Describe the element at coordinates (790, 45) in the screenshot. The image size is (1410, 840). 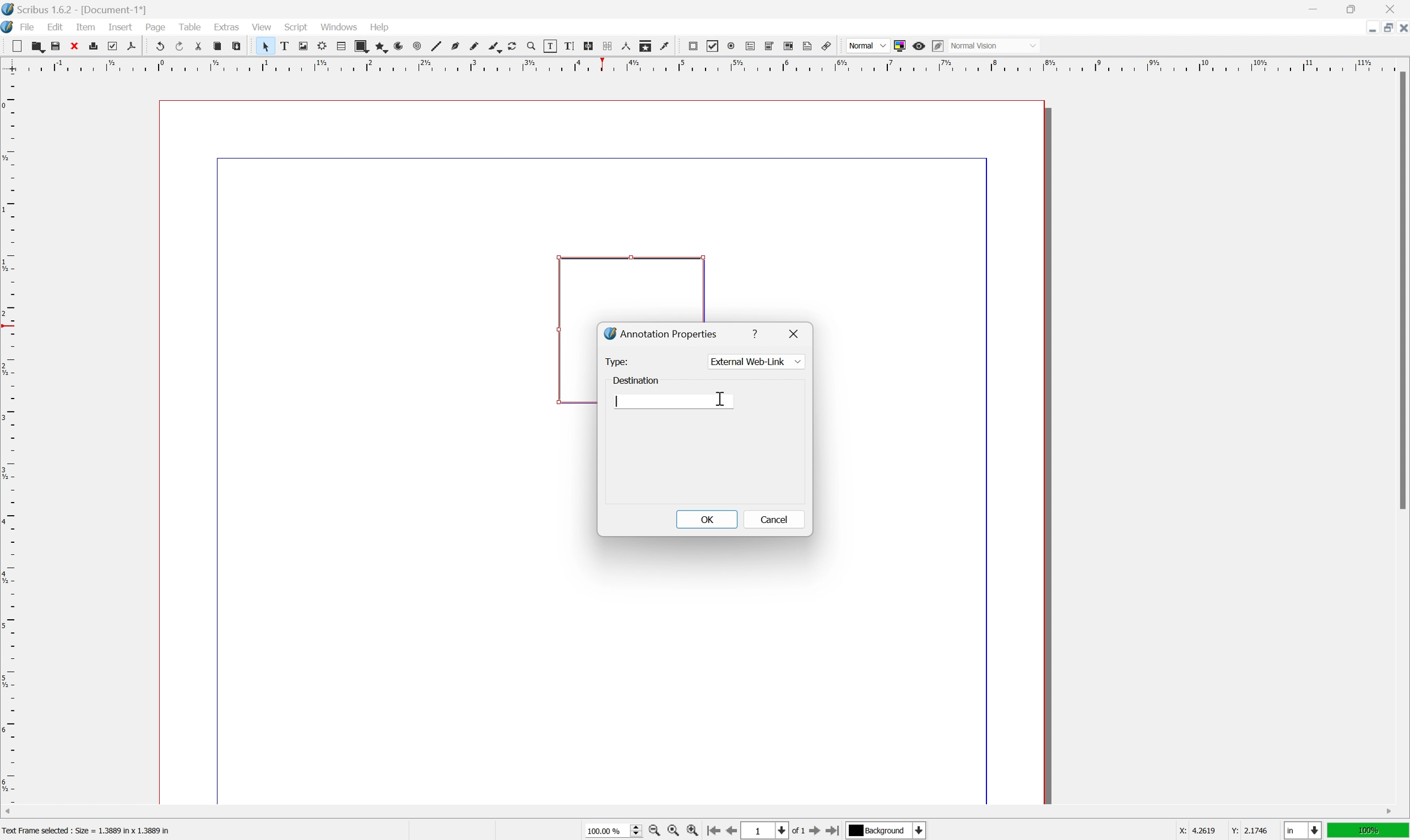
I see `pdf list box` at that location.